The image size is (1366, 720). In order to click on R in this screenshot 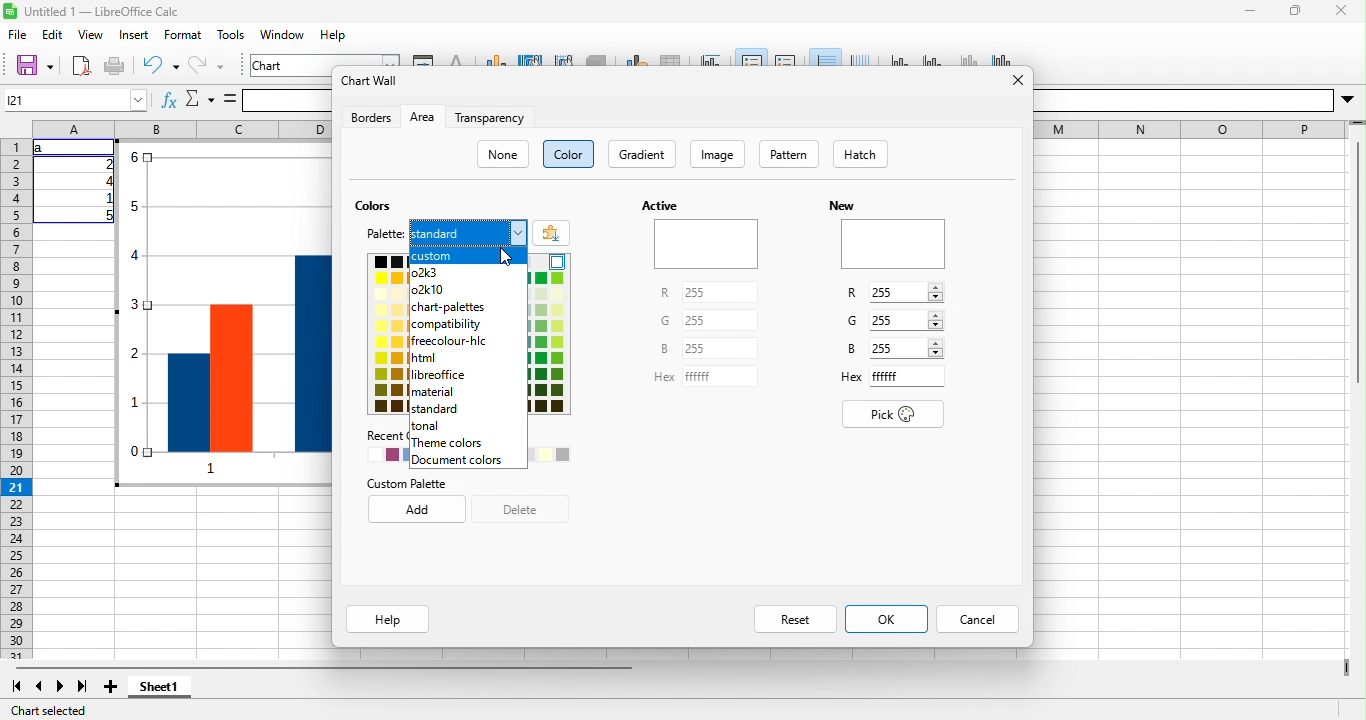, I will do `click(665, 292)`.